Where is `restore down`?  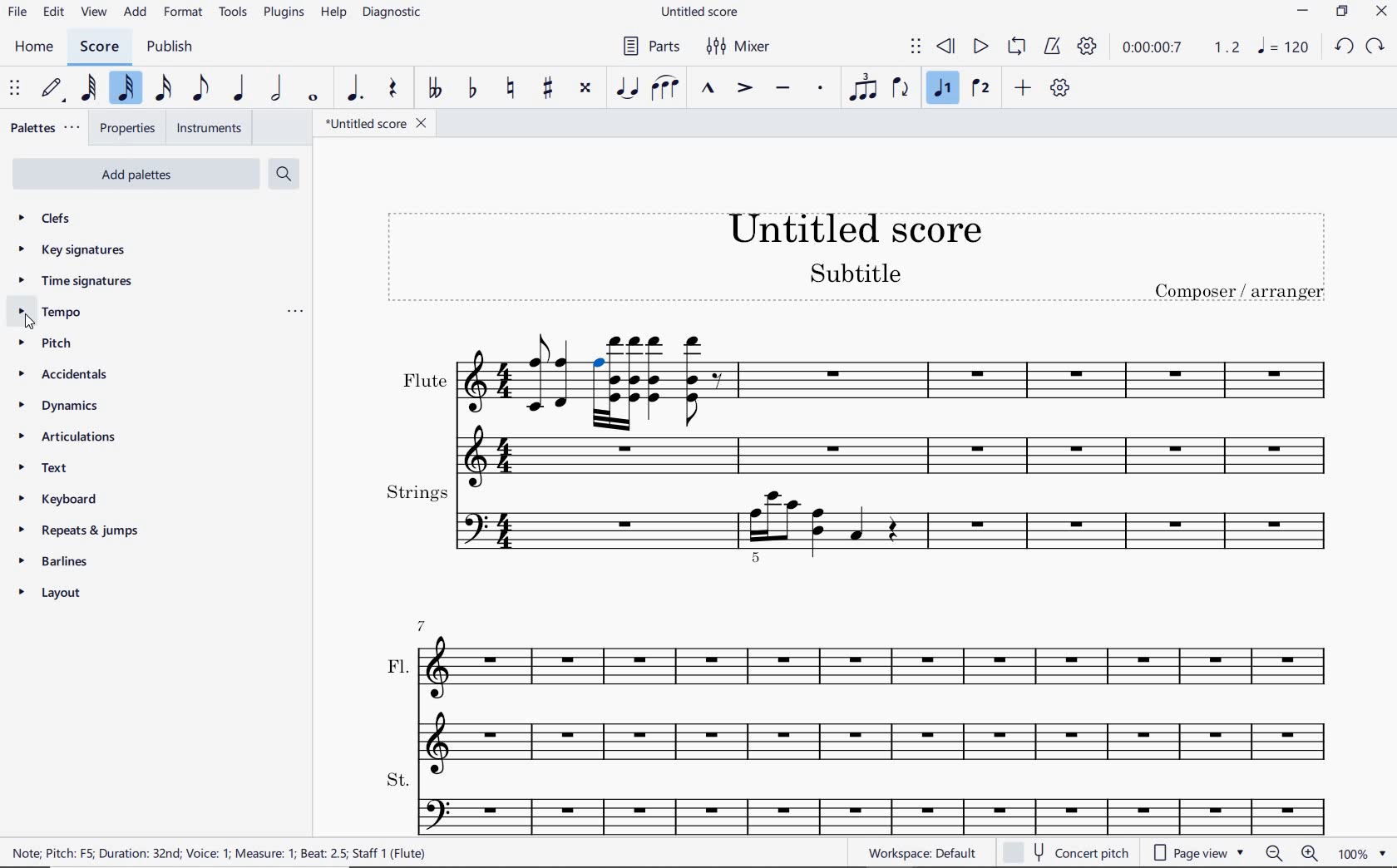
restore down is located at coordinates (1344, 11).